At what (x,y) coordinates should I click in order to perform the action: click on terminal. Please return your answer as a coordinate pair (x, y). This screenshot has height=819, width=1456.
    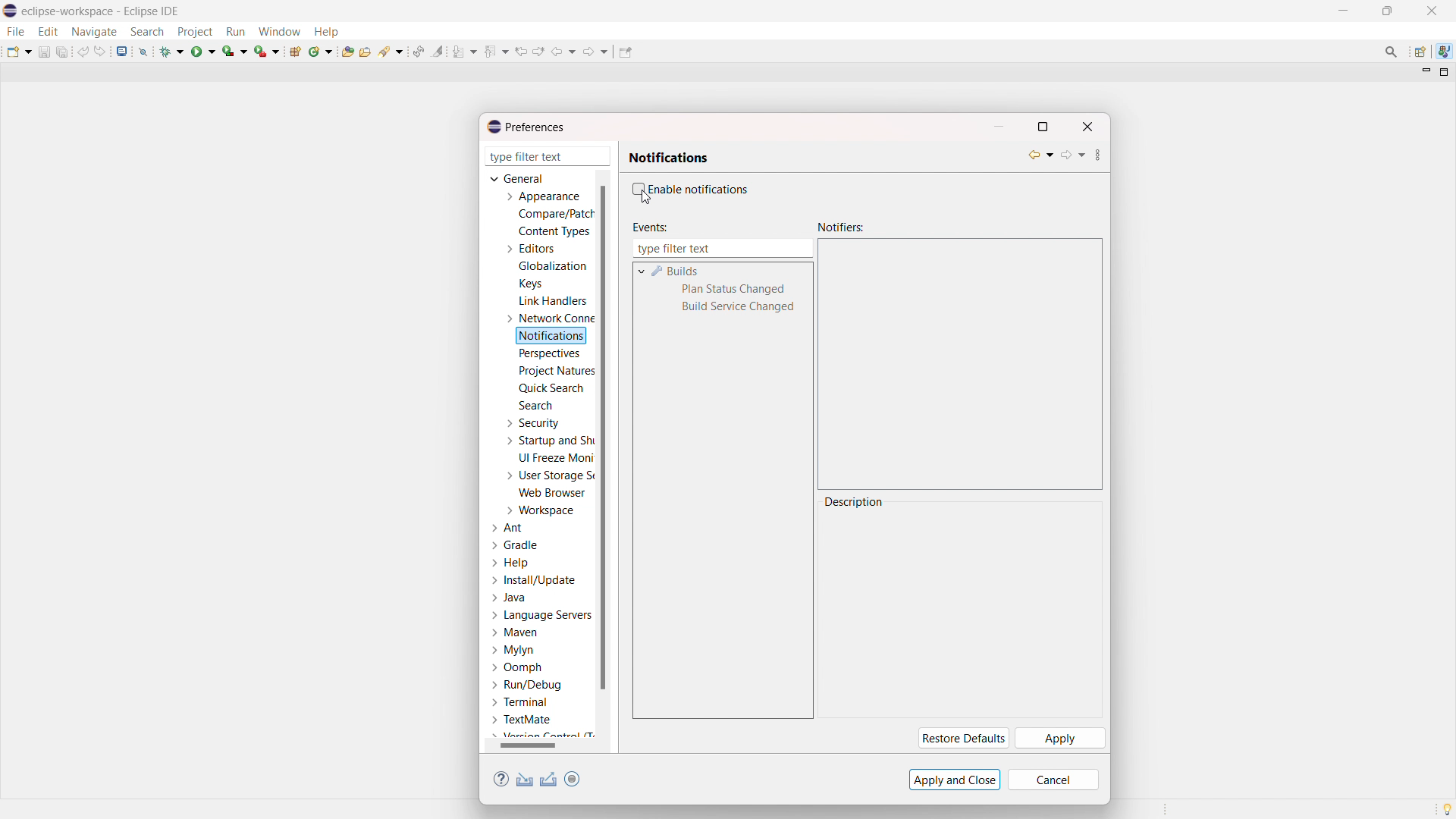
    Looking at the image, I should click on (521, 703).